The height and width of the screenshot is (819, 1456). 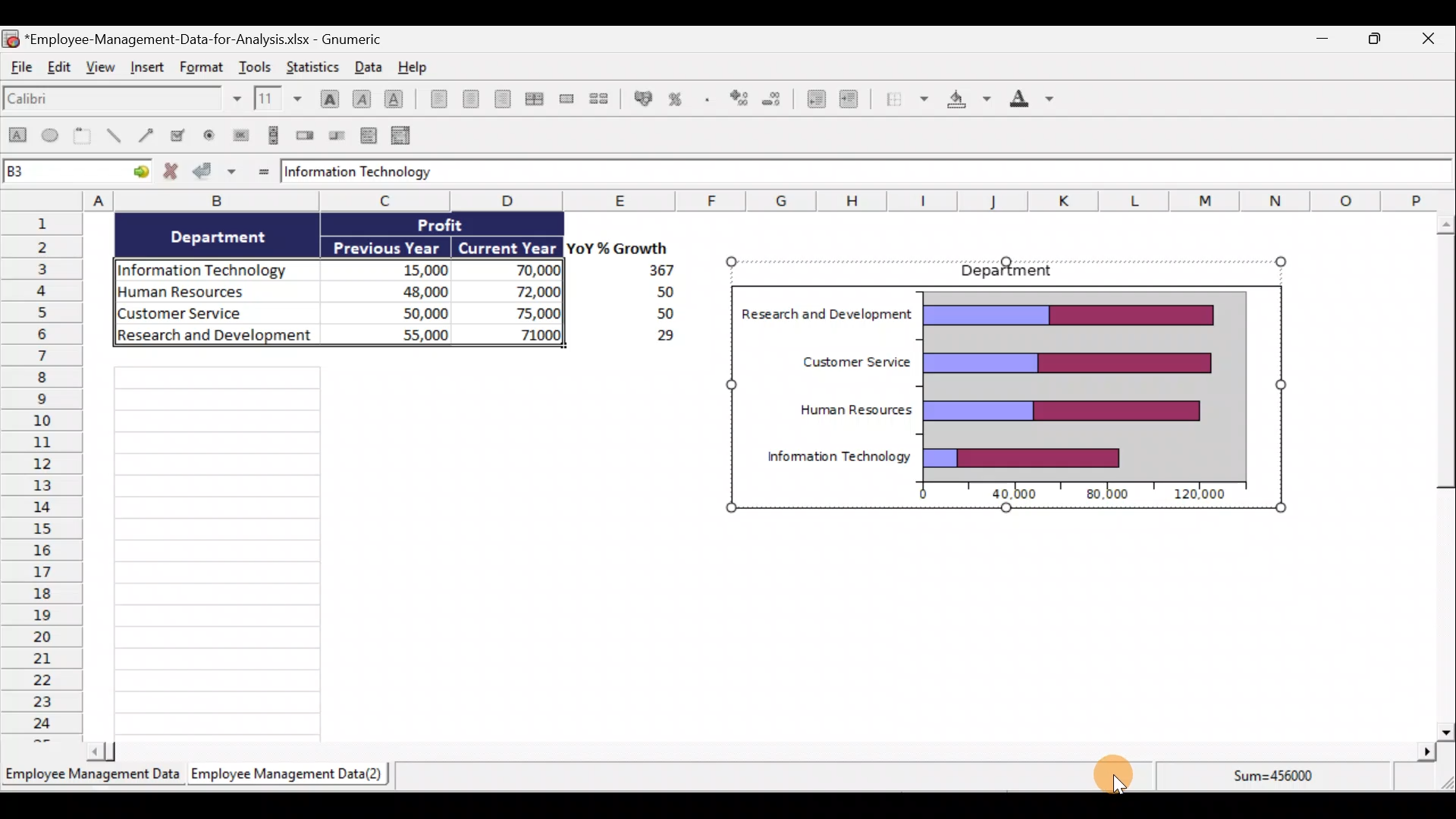 What do you see at coordinates (151, 68) in the screenshot?
I see `Insert` at bounding box center [151, 68].